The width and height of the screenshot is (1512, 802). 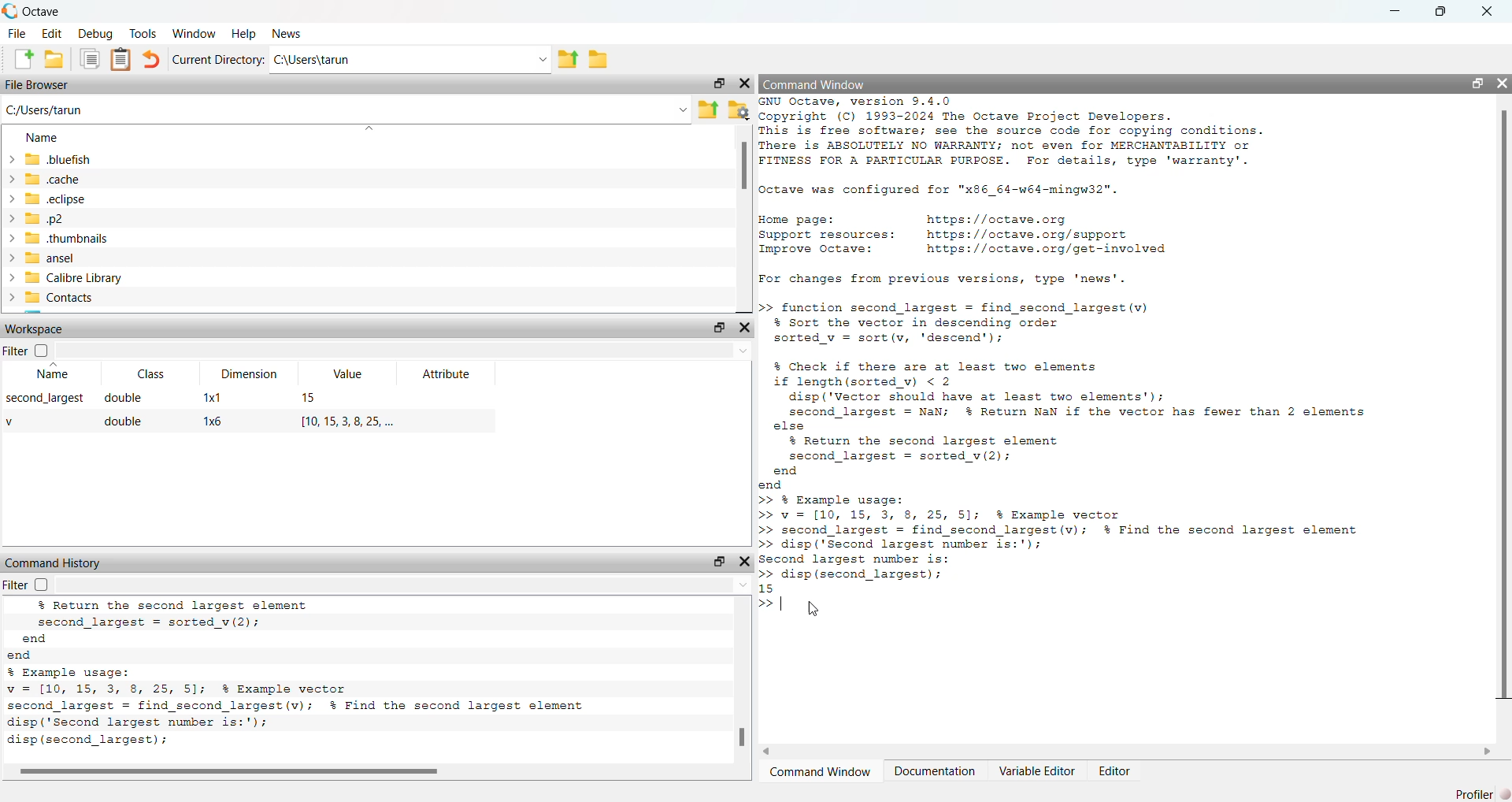 What do you see at coordinates (740, 740) in the screenshot?
I see `scrollbar` at bounding box center [740, 740].